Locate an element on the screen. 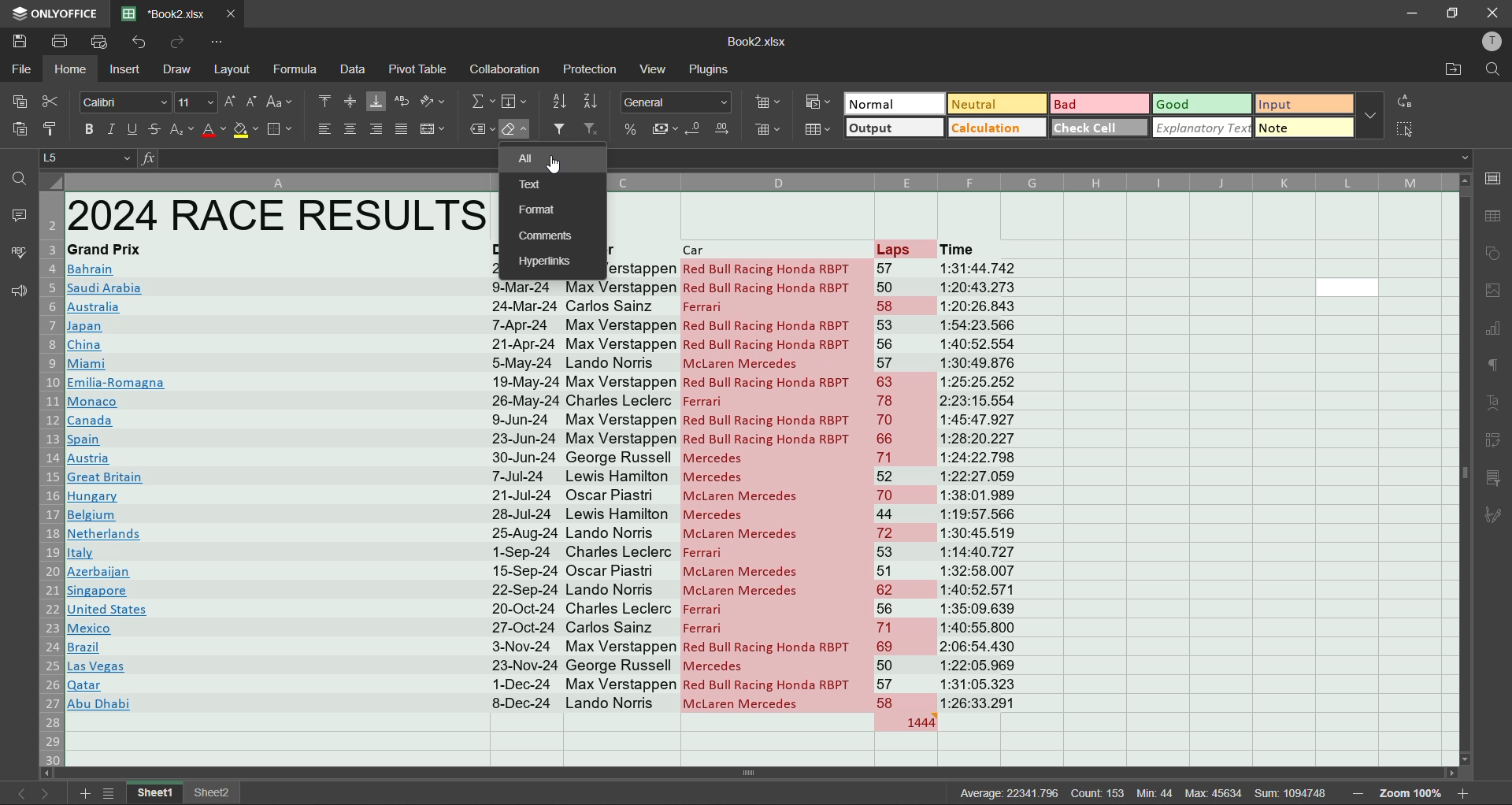  call settings is located at coordinates (1492, 178).